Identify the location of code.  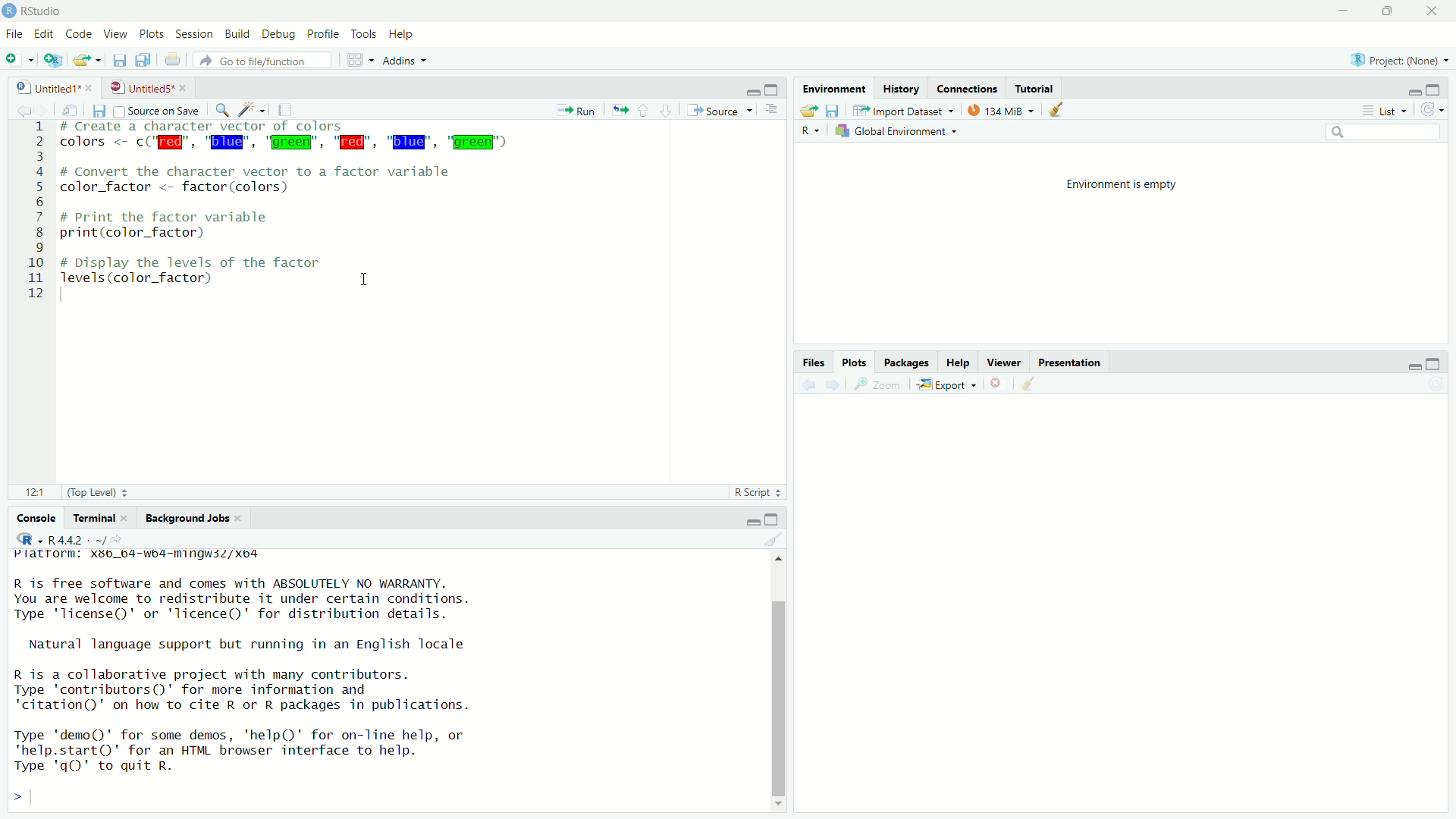
(79, 35).